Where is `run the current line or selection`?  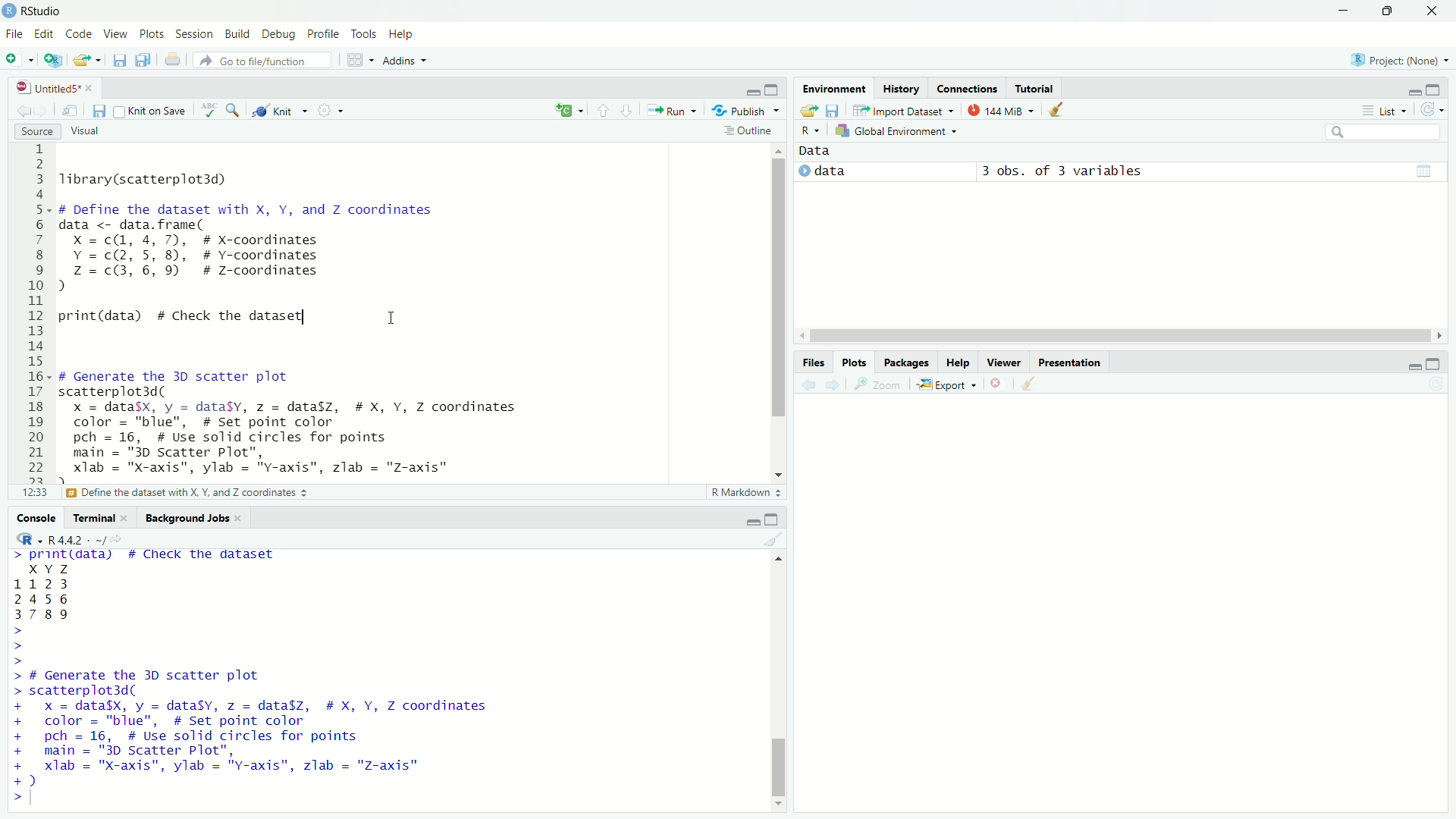
run the current line or selection is located at coordinates (673, 111).